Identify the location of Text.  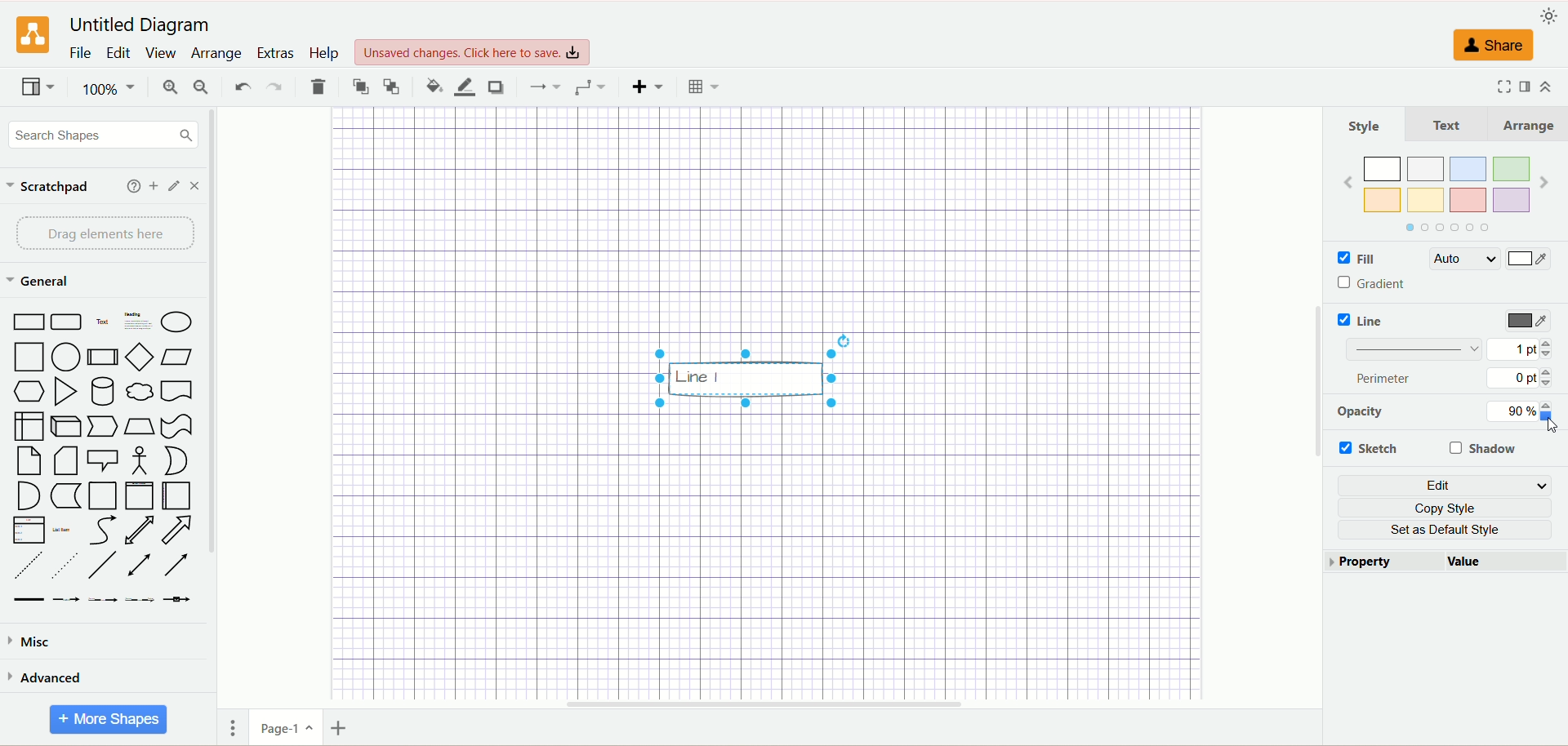
(104, 321).